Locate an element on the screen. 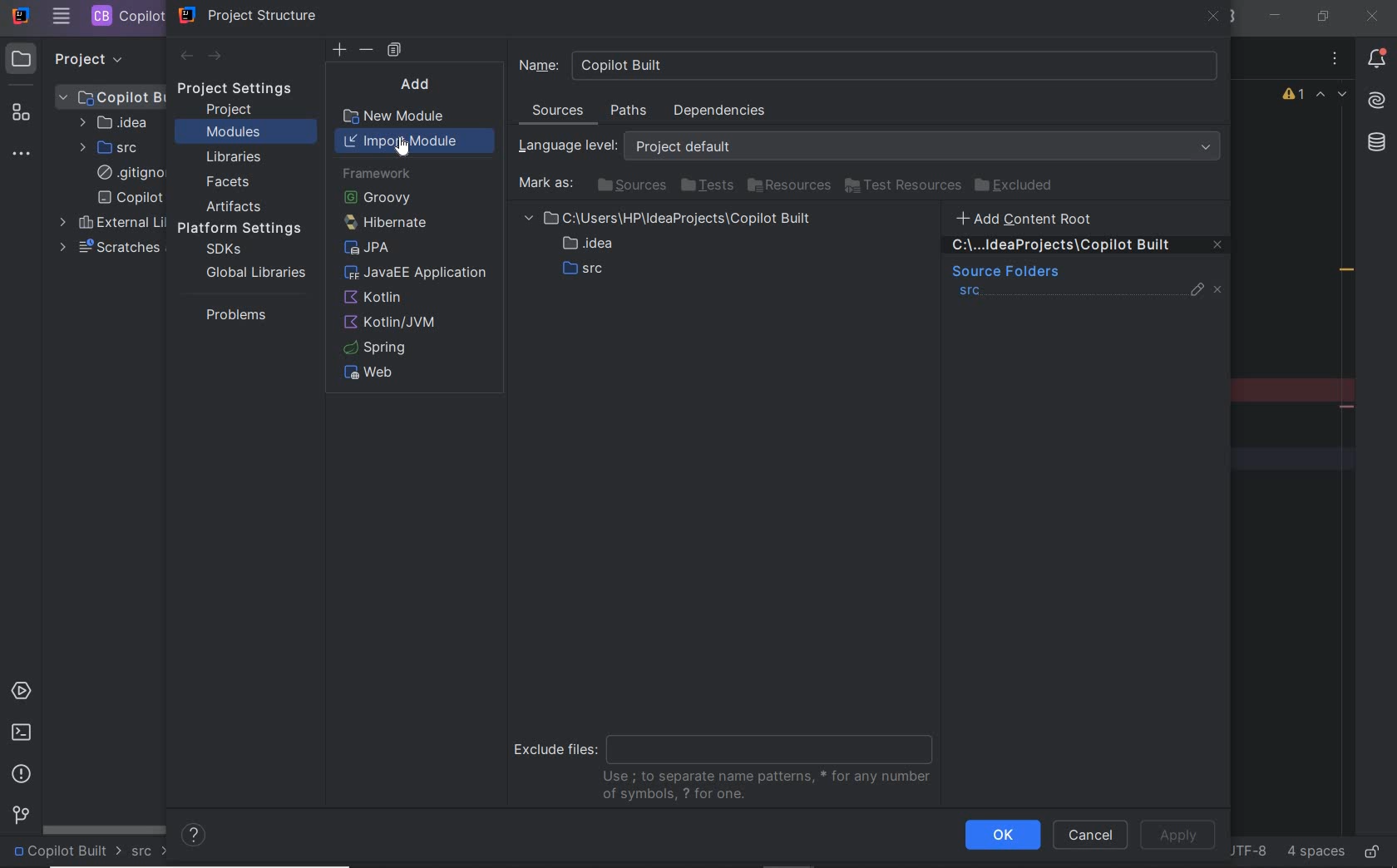 This screenshot has width=1397, height=868. project structure is located at coordinates (249, 15).